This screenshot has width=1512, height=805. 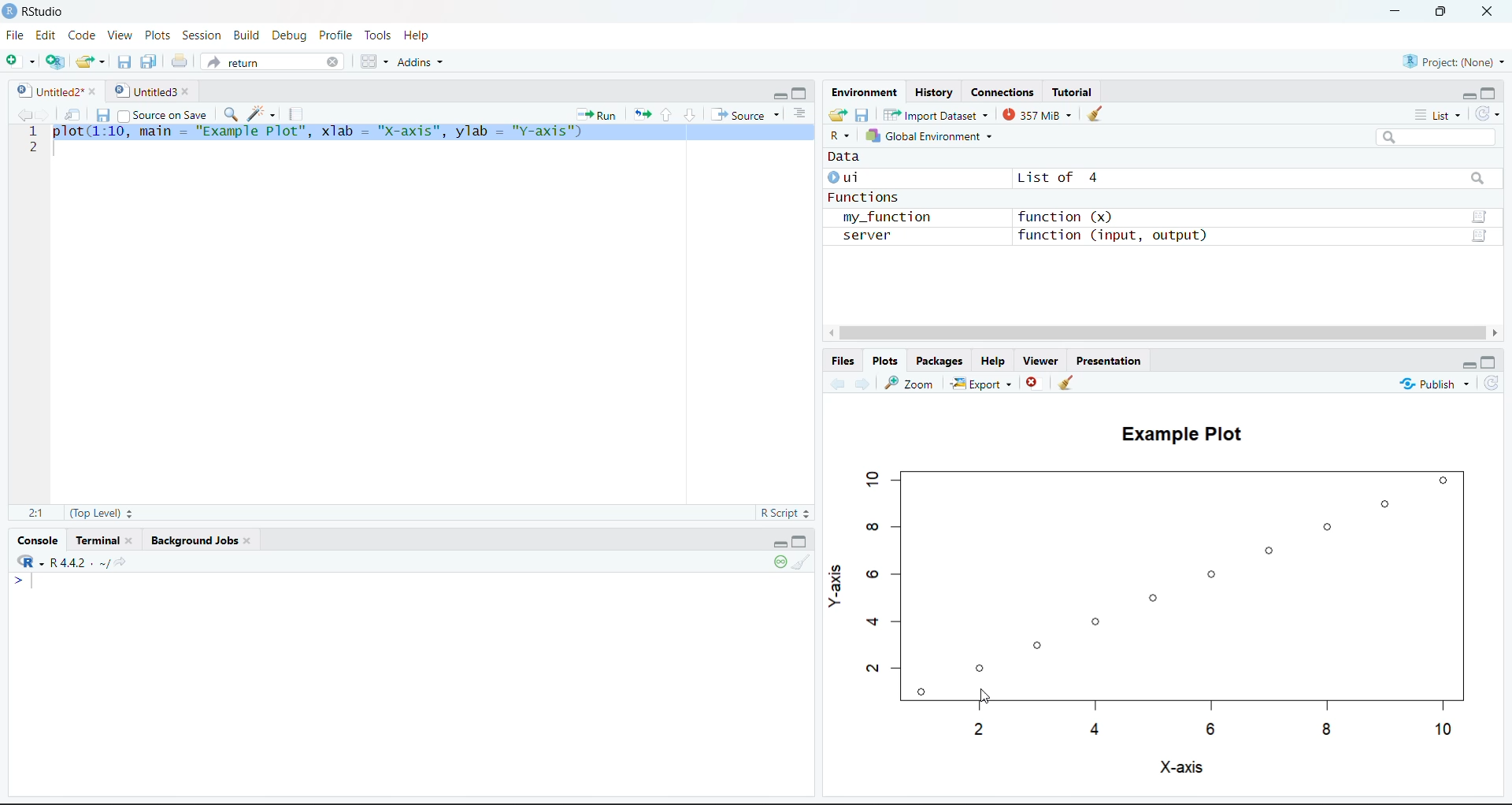 I want to click on Right, so click(x=1496, y=332).